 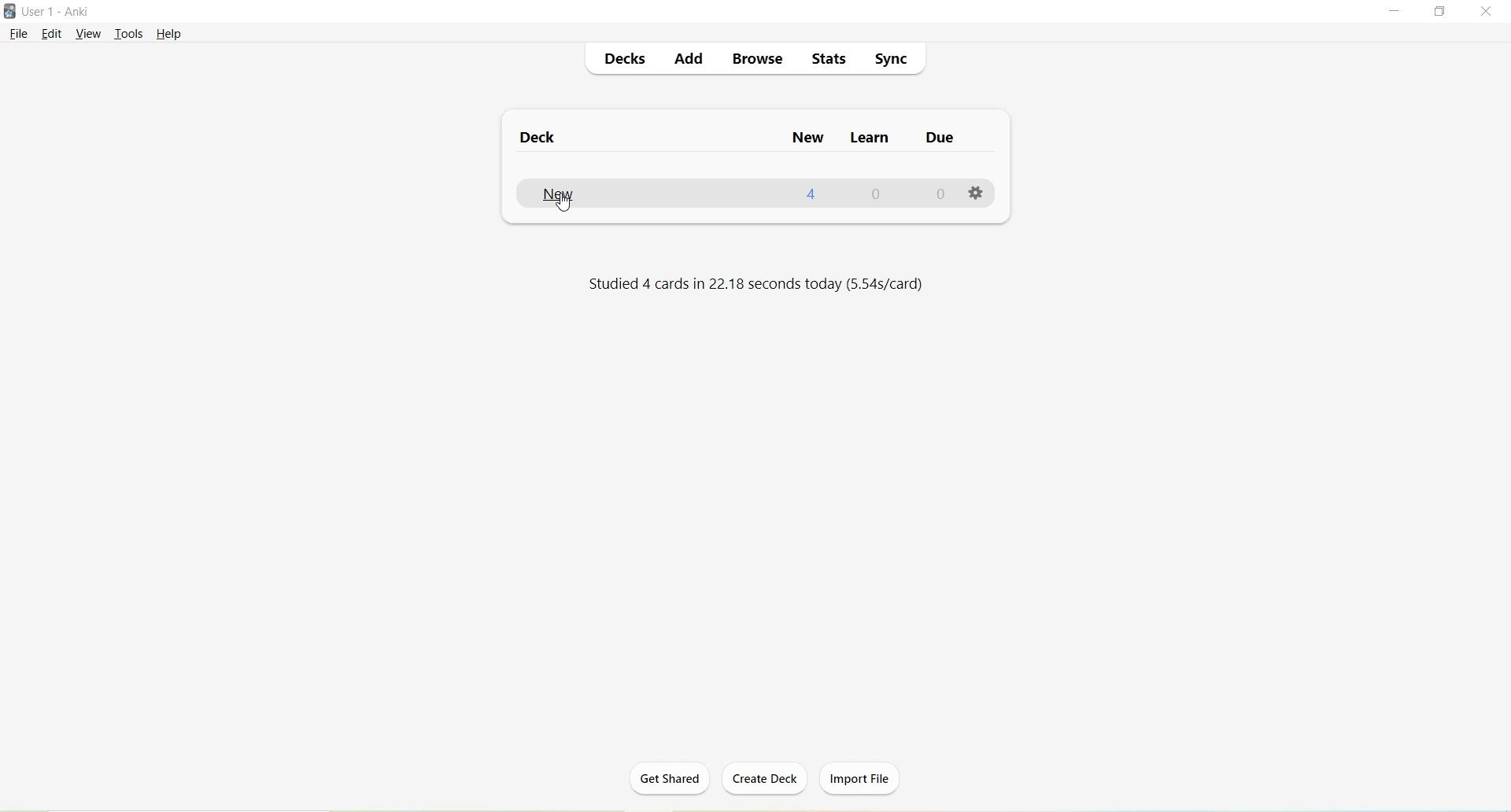 I want to click on Due, so click(x=943, y=140).